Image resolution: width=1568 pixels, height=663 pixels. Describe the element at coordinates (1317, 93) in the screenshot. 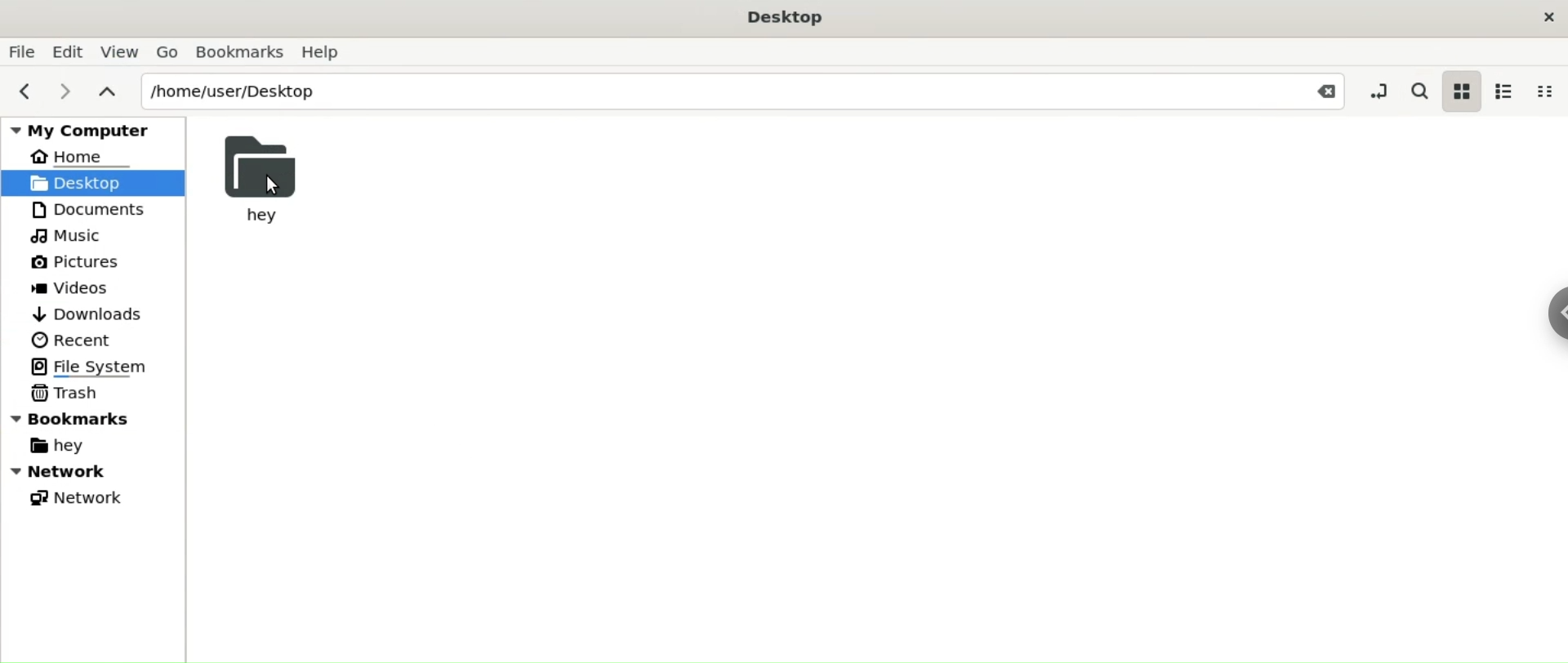

I see `Close` at that location.